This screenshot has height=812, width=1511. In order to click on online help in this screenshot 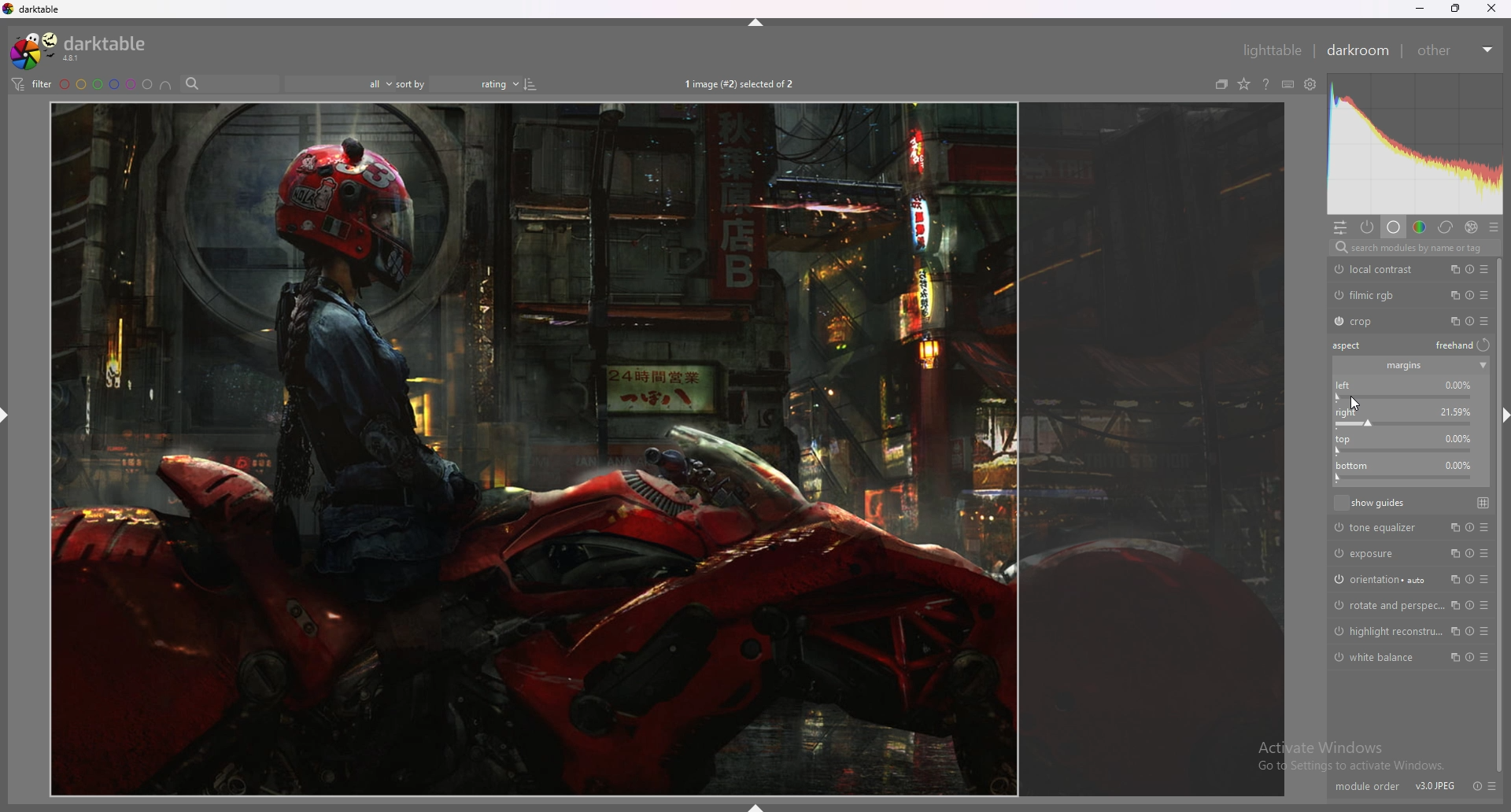, I will do `click(1266, 84)`.